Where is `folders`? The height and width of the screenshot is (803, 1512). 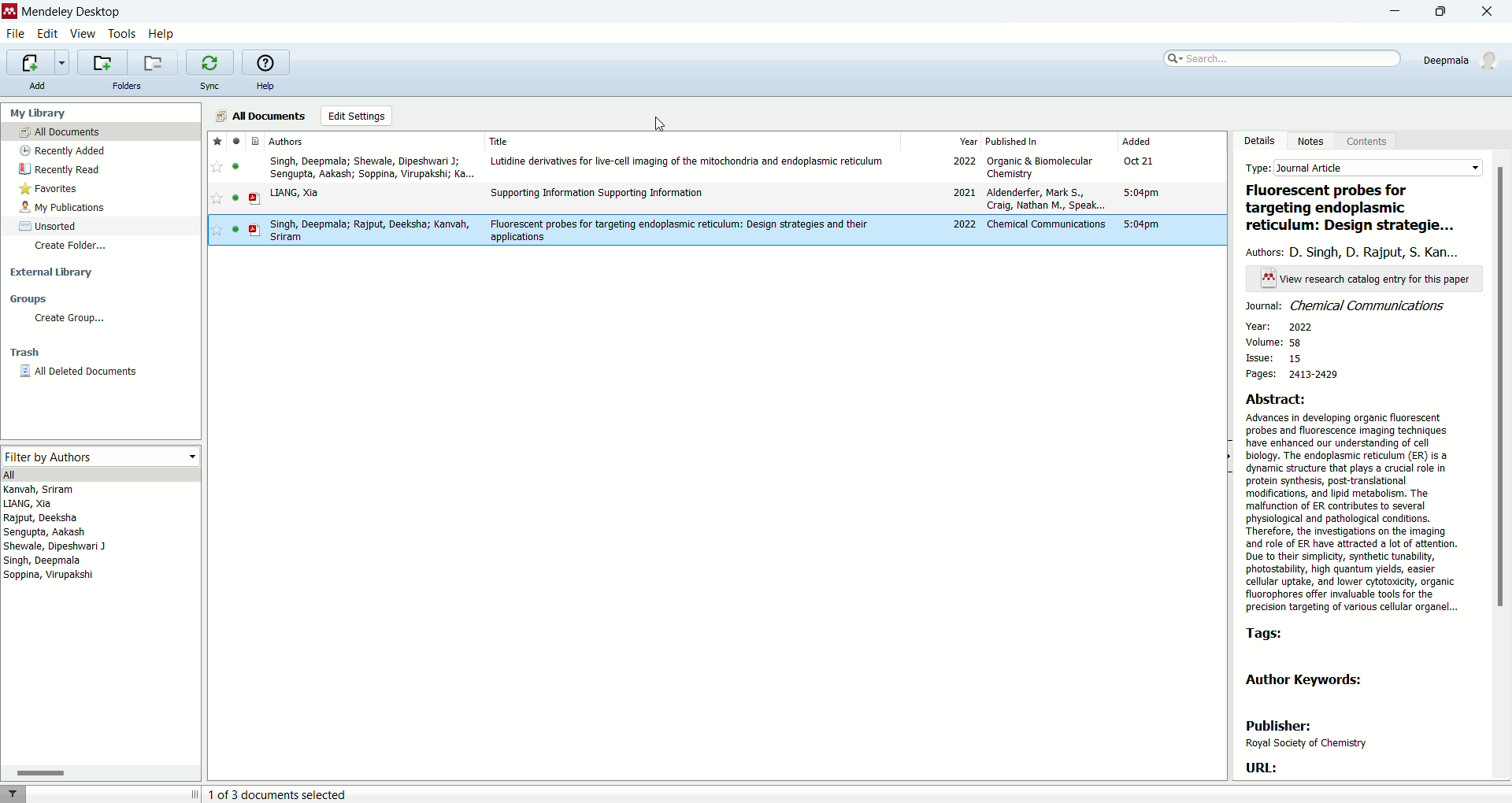 folders is located at coordinates (128, 87).